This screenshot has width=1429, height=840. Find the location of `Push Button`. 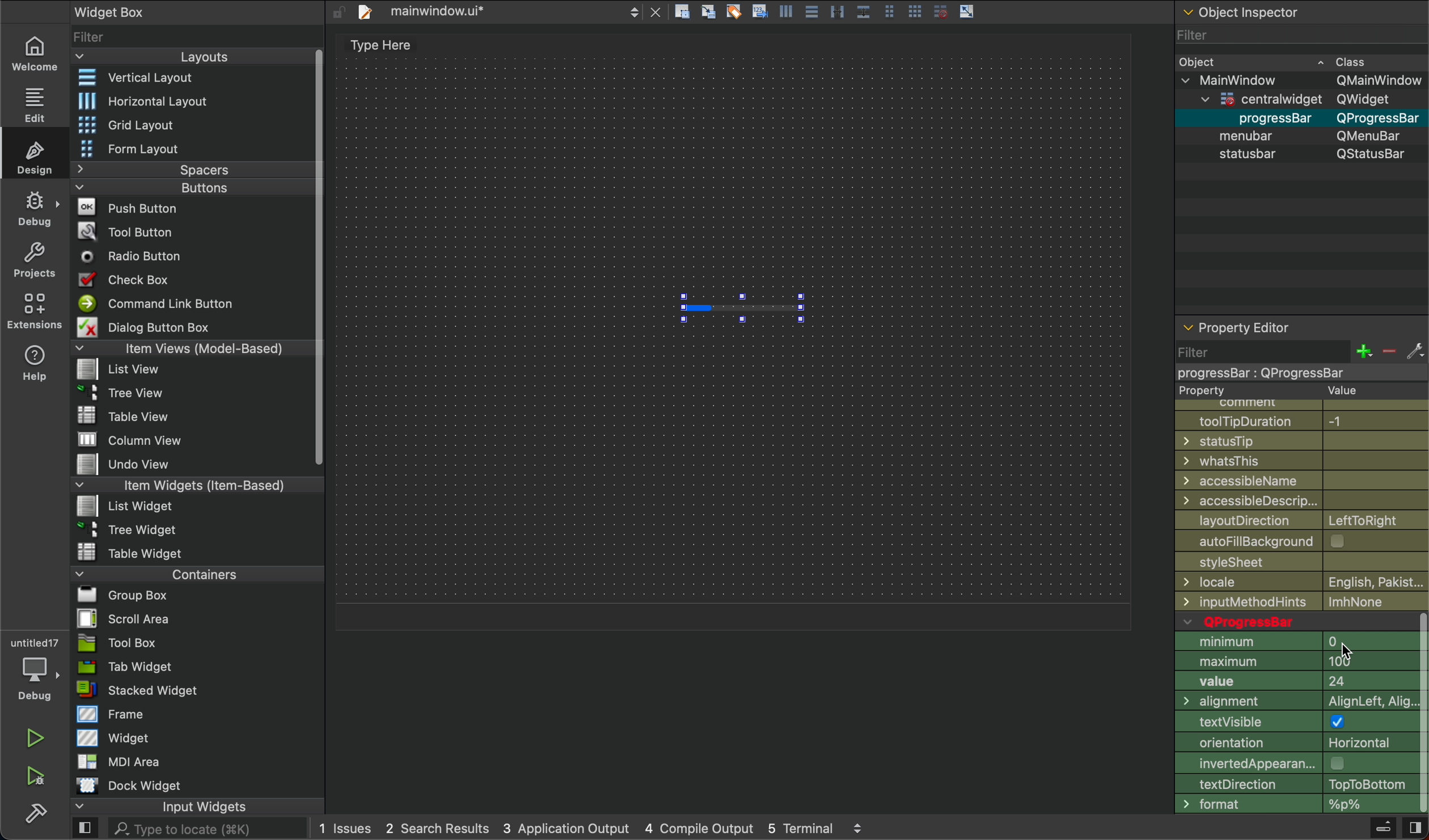

Push Button is located at coordinates (132, 206).